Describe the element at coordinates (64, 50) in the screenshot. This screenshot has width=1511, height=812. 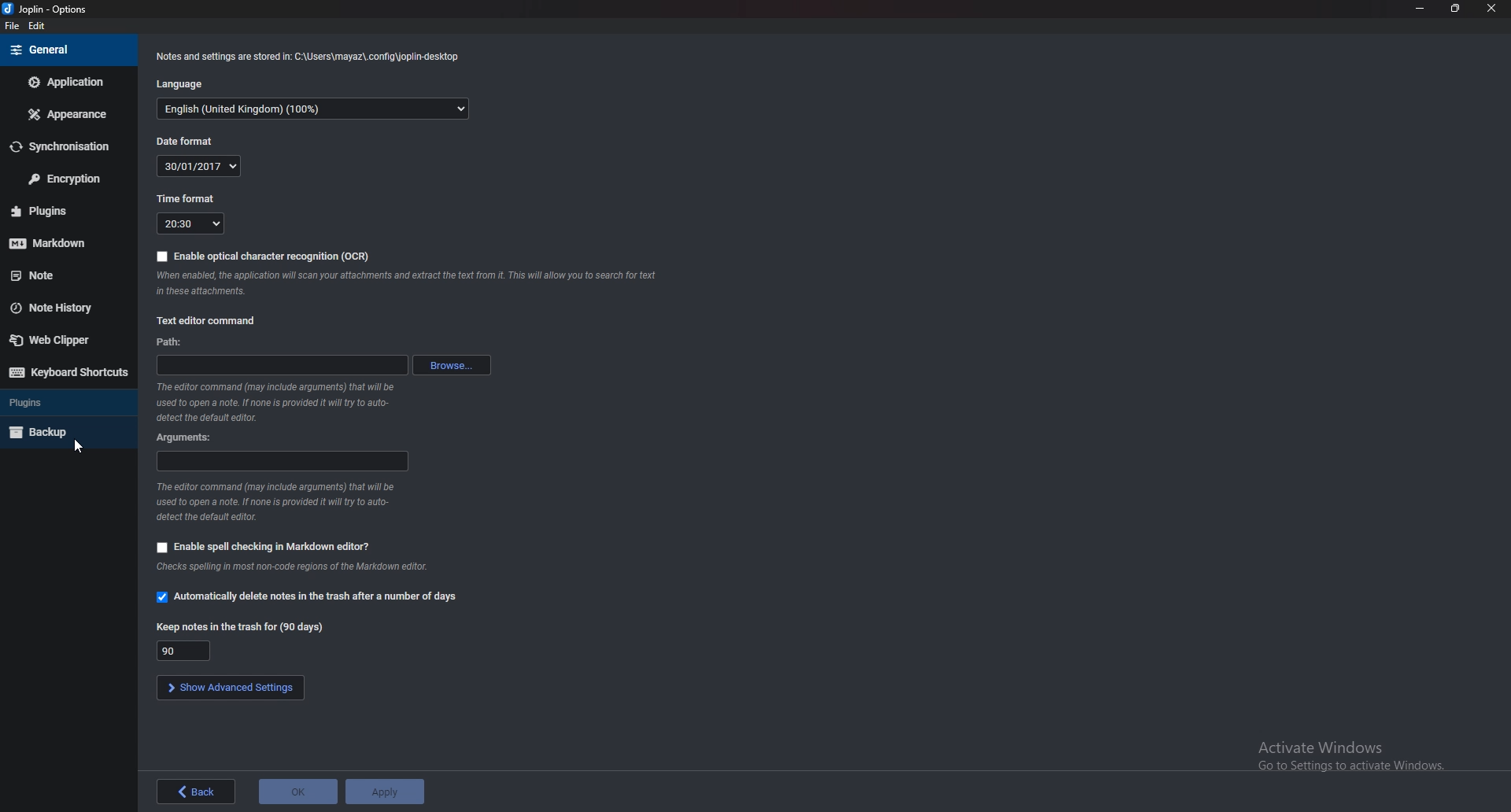
I see `general` at that location.